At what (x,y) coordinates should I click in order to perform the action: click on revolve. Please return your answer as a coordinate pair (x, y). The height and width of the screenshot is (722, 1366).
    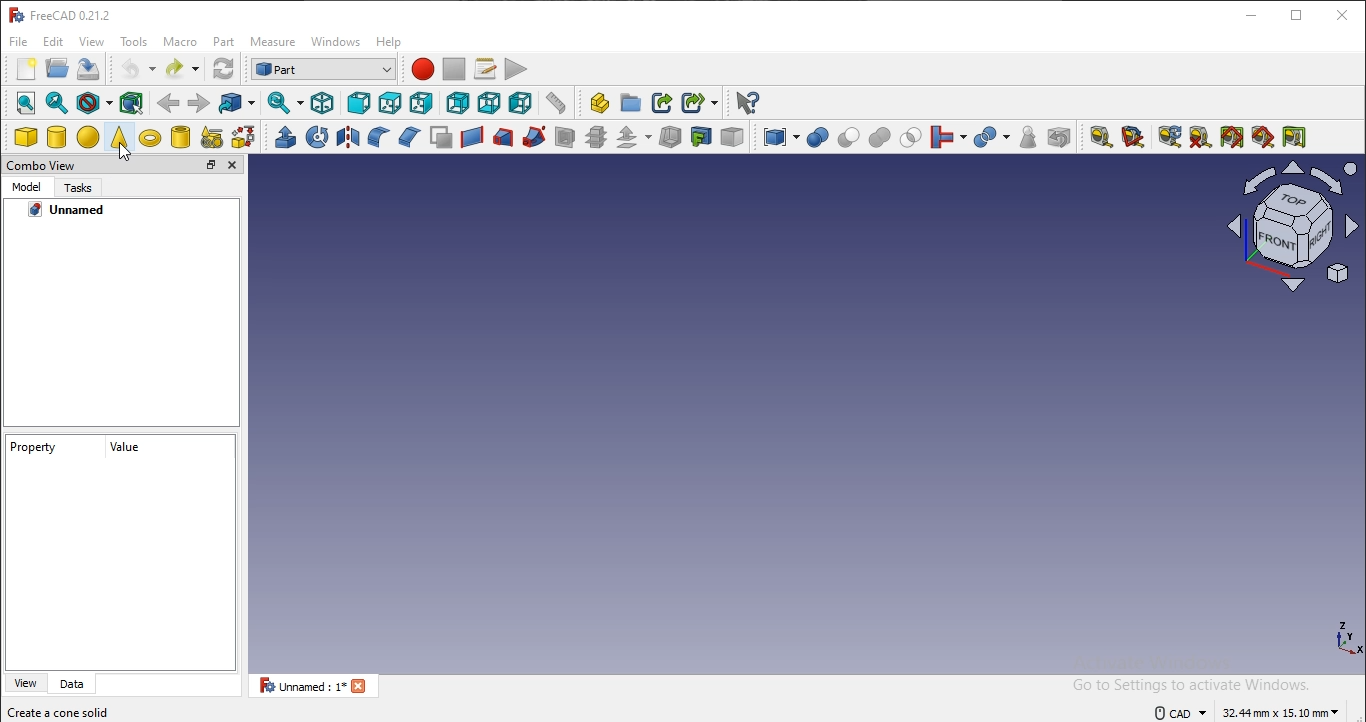
    Looking at the image, I should click on (315, 138).